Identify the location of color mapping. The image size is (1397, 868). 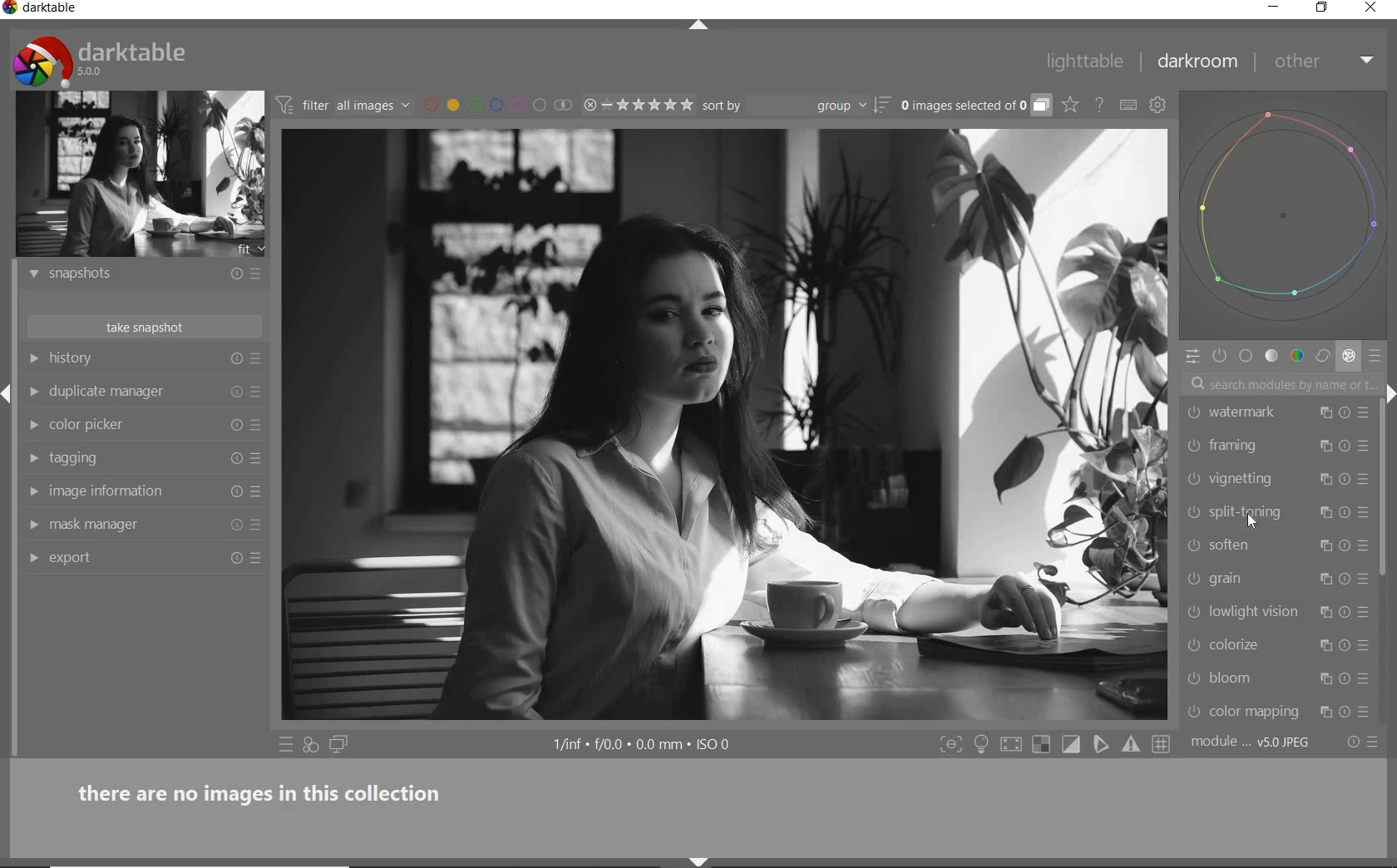
(1258, 711).